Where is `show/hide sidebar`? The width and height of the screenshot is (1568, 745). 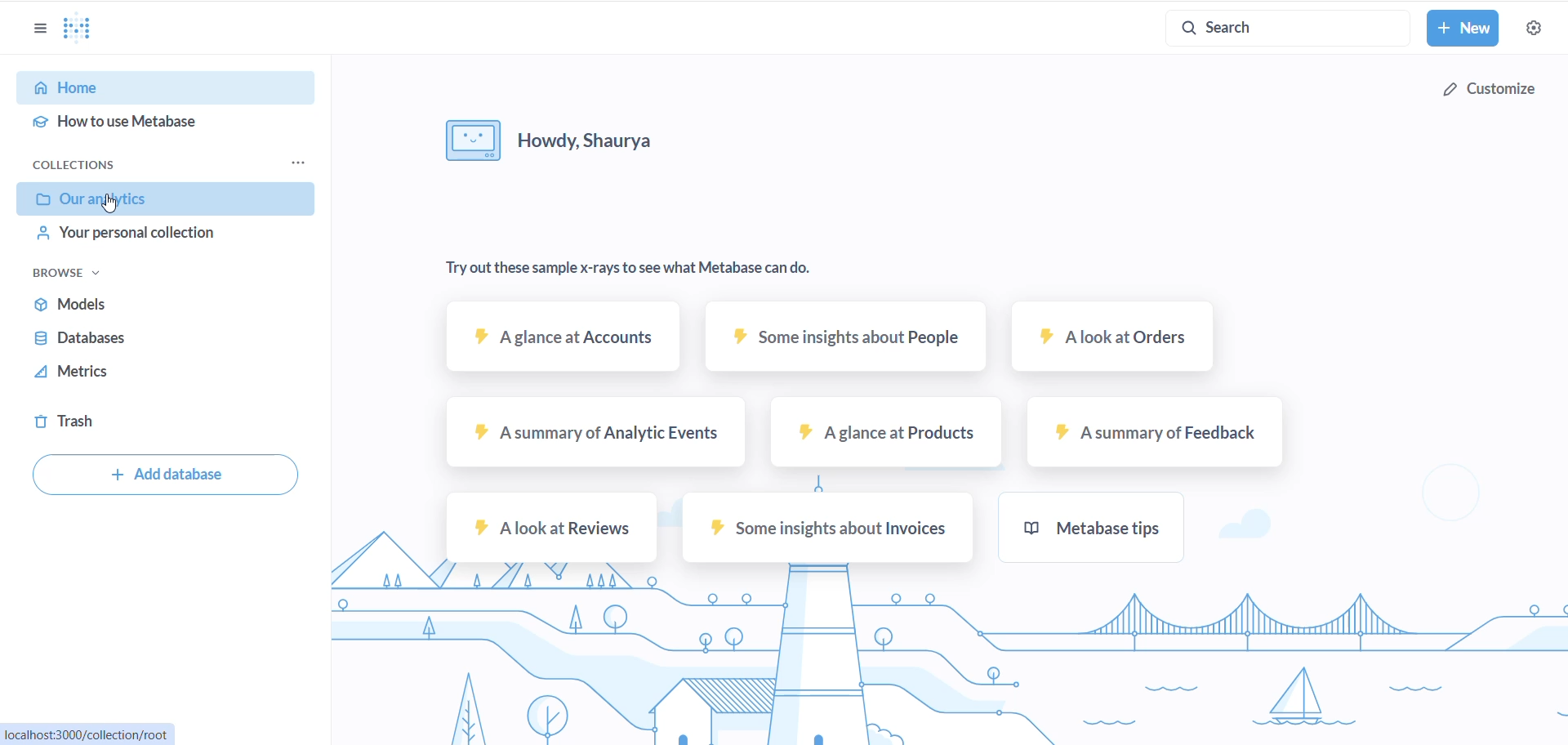
show/hide sidebar is located at coordinates (42, 31).